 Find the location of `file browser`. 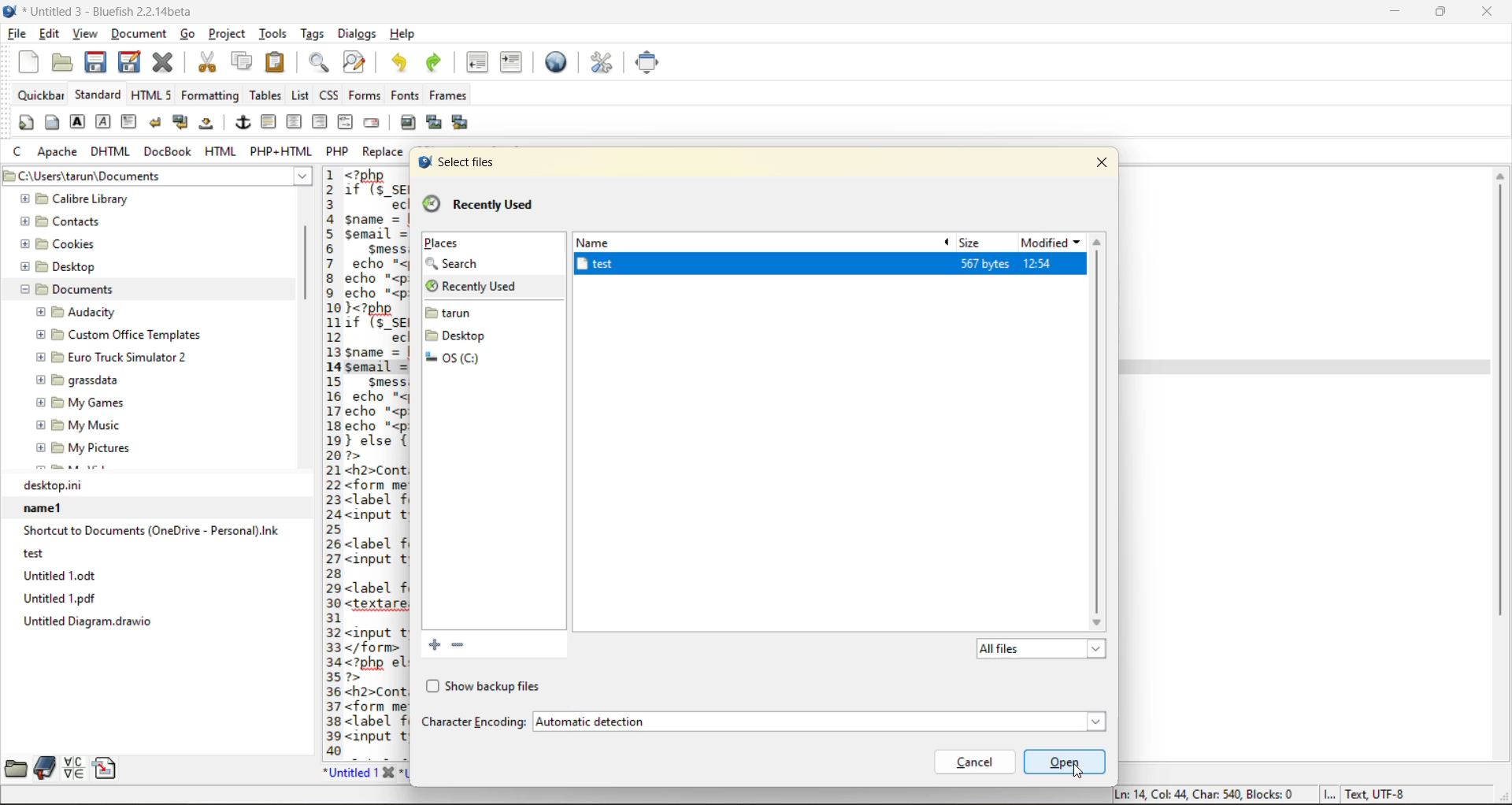

file browser is located at coordinates (14, 768).